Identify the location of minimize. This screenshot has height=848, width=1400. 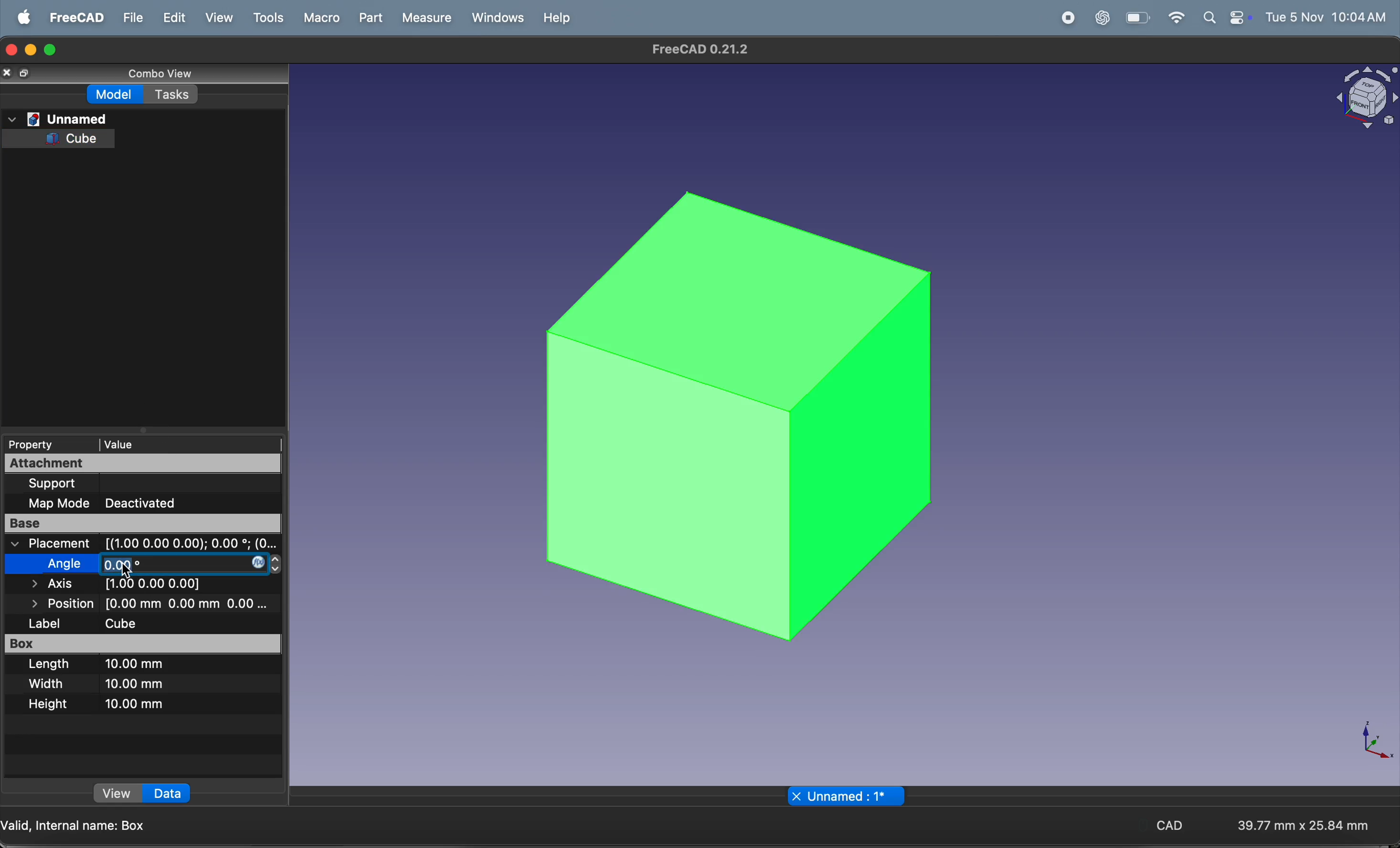
(33, 49).